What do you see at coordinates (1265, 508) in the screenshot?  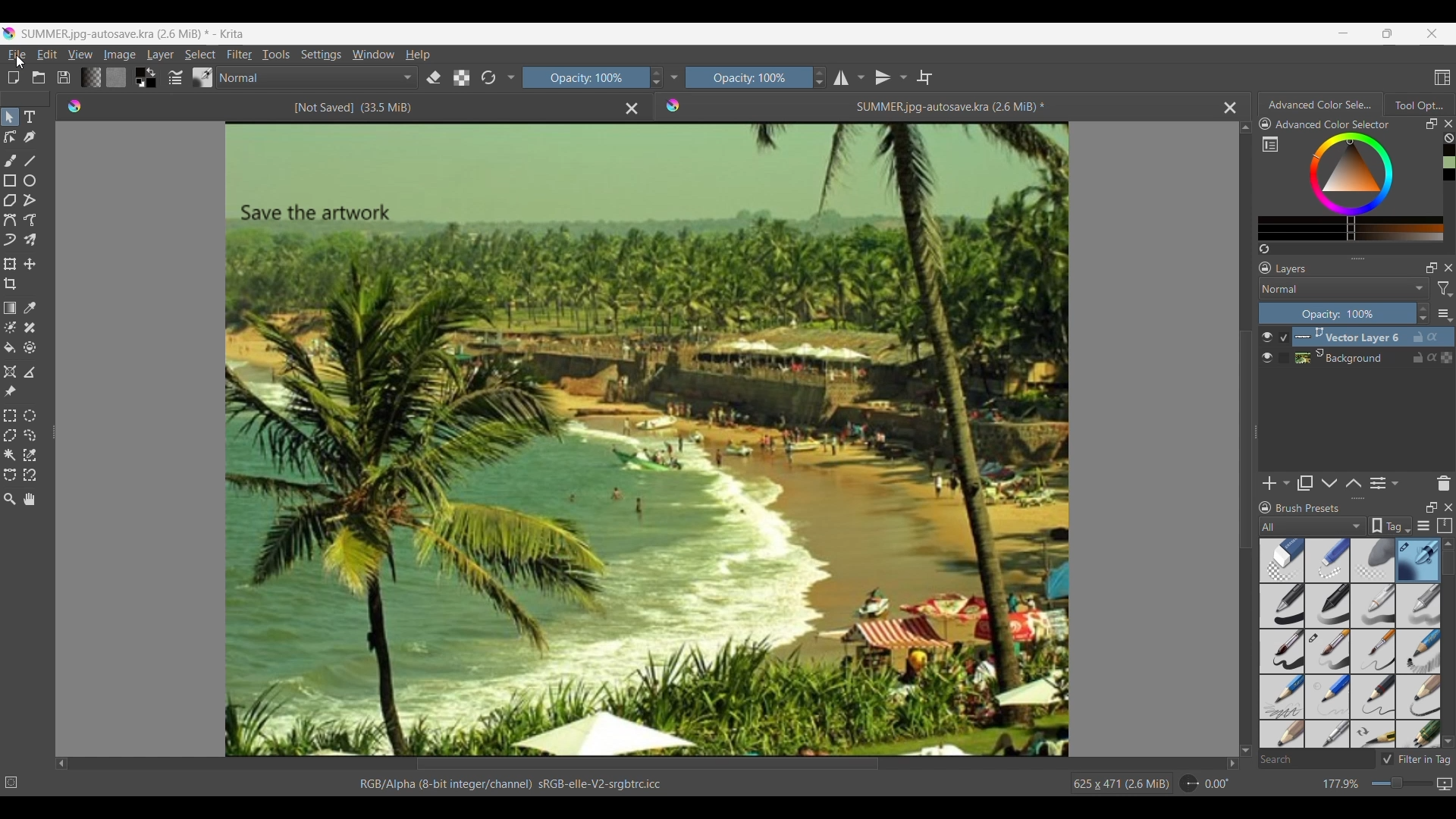 I see `Lock Brush presets panel` at bounding box center [1265, 508].